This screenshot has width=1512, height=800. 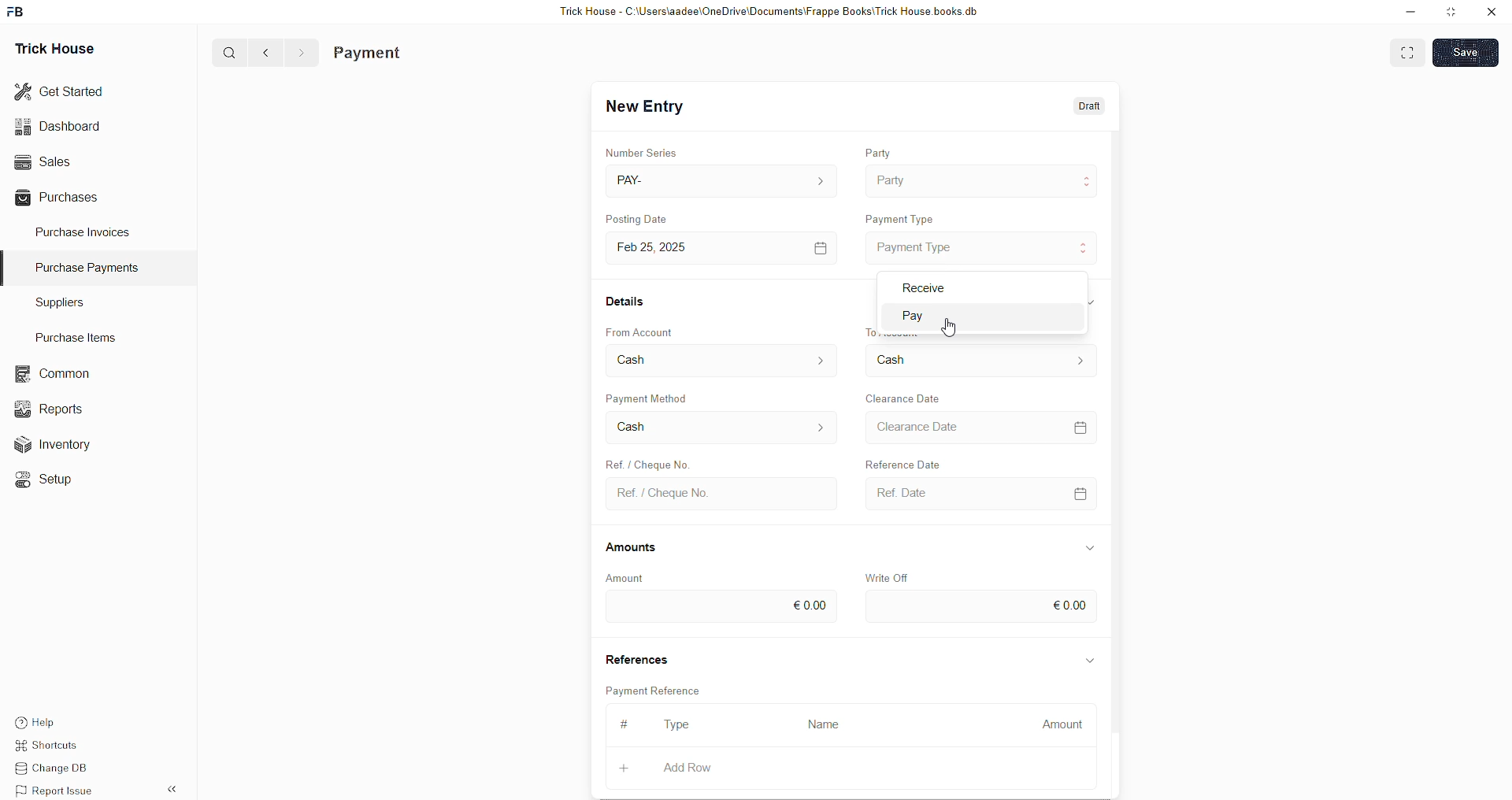 I want to click on Purchase Invoice, so click(x=406, y=53).